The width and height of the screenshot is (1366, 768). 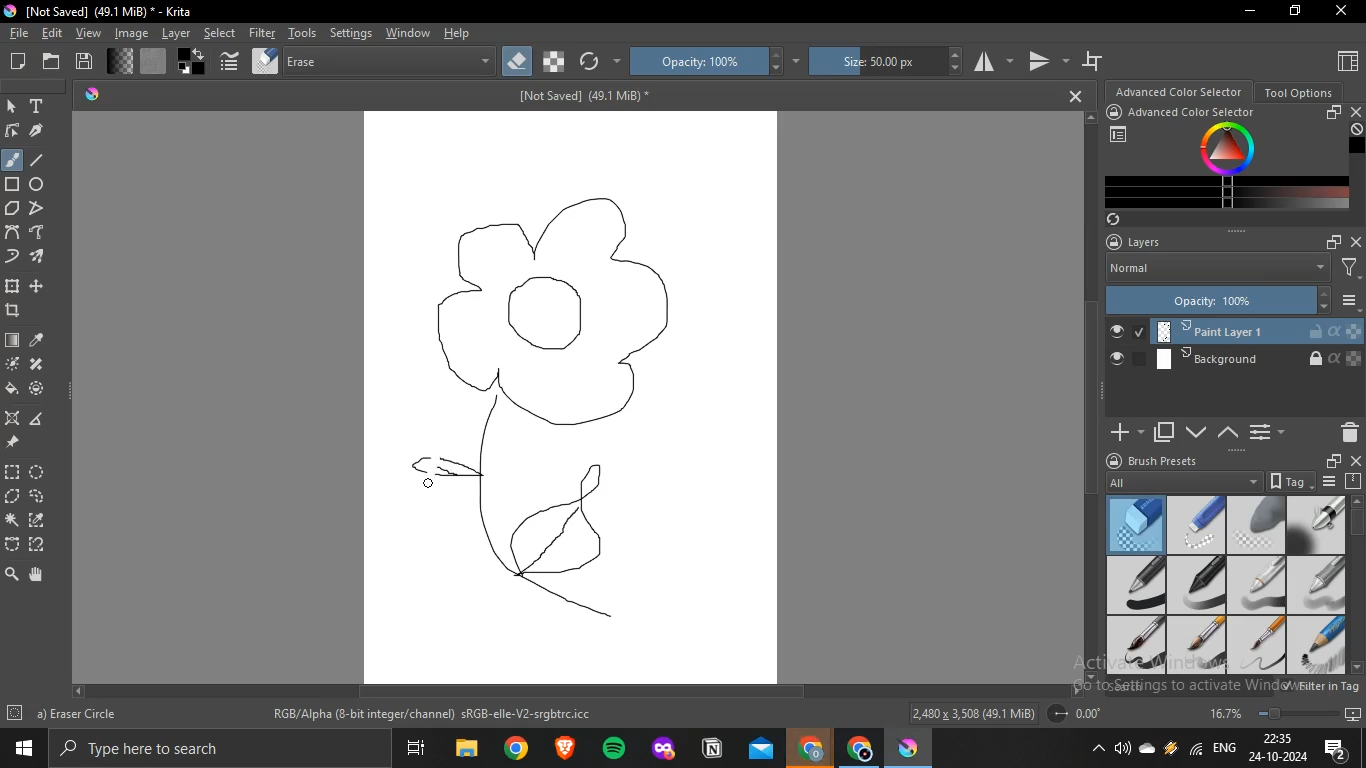 What do you see at coordinates (555, 62) in the screenshot?
I see `preserve alpha` at bounding box center [555, 62].